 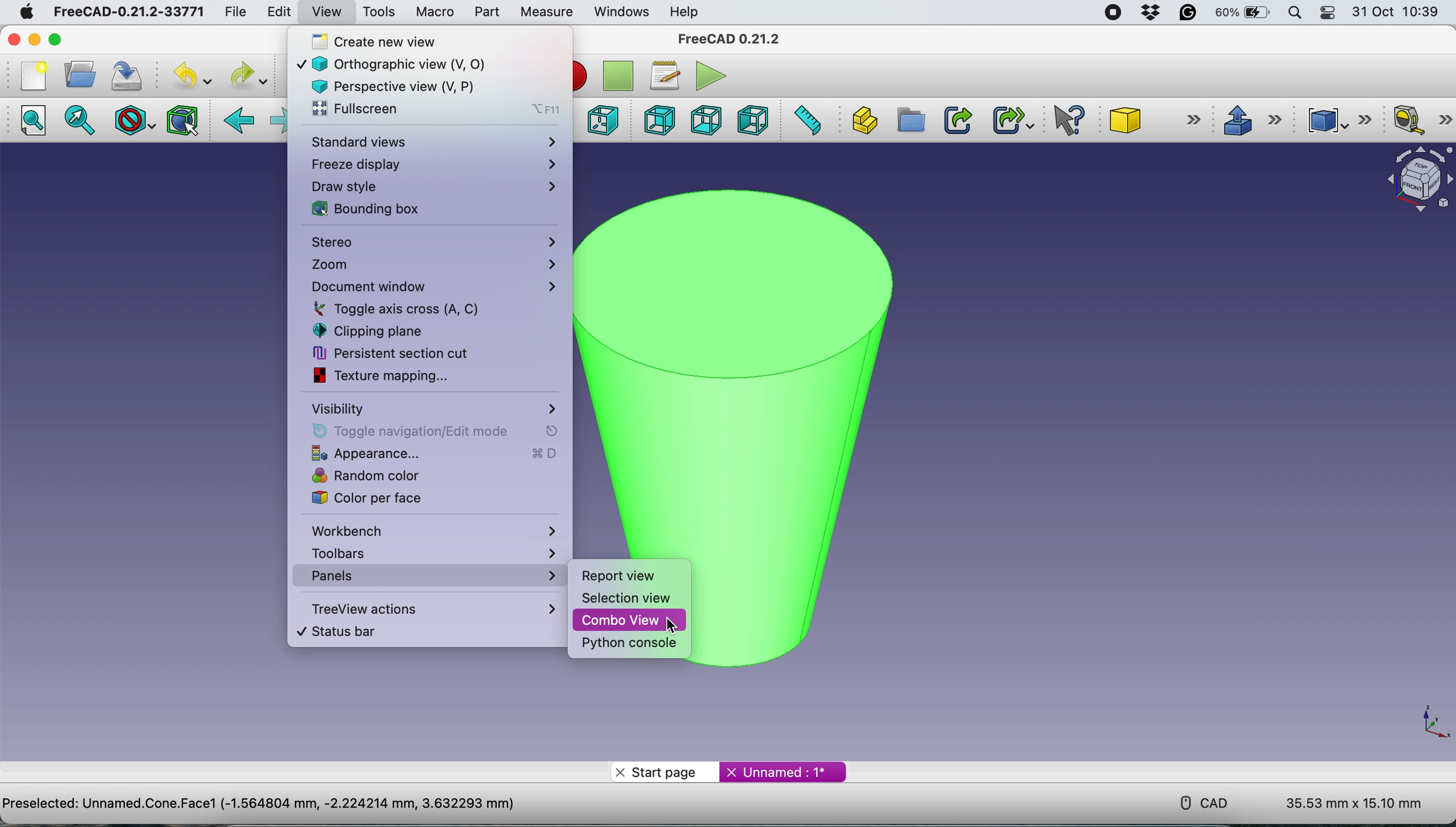 What do you see at coordinates (631, 644) in the screenshot?
I see `python console ` at bounding box center [631, 644].